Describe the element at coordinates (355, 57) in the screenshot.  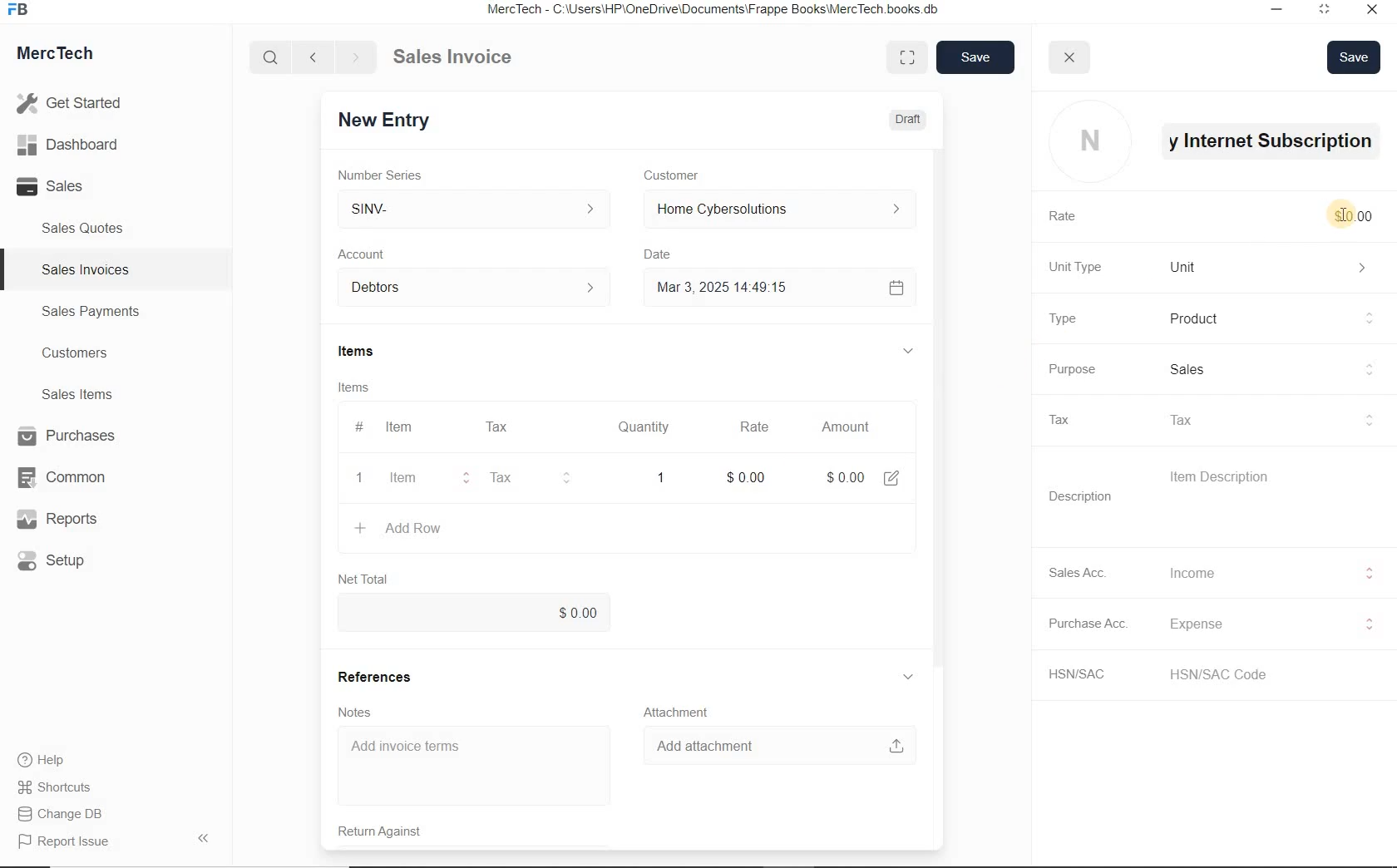
I see `Go forward` at that location.